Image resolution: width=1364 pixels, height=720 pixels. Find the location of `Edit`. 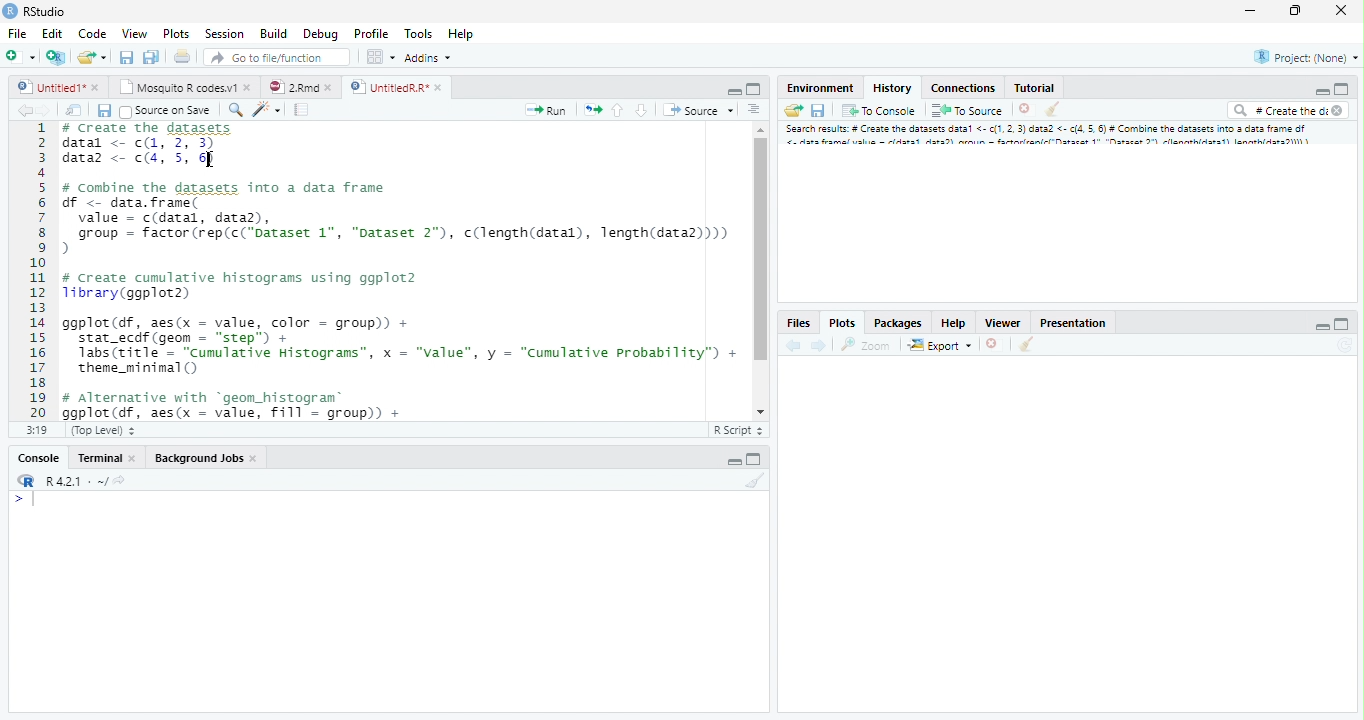

Edit is located at coordinates (53, 35).